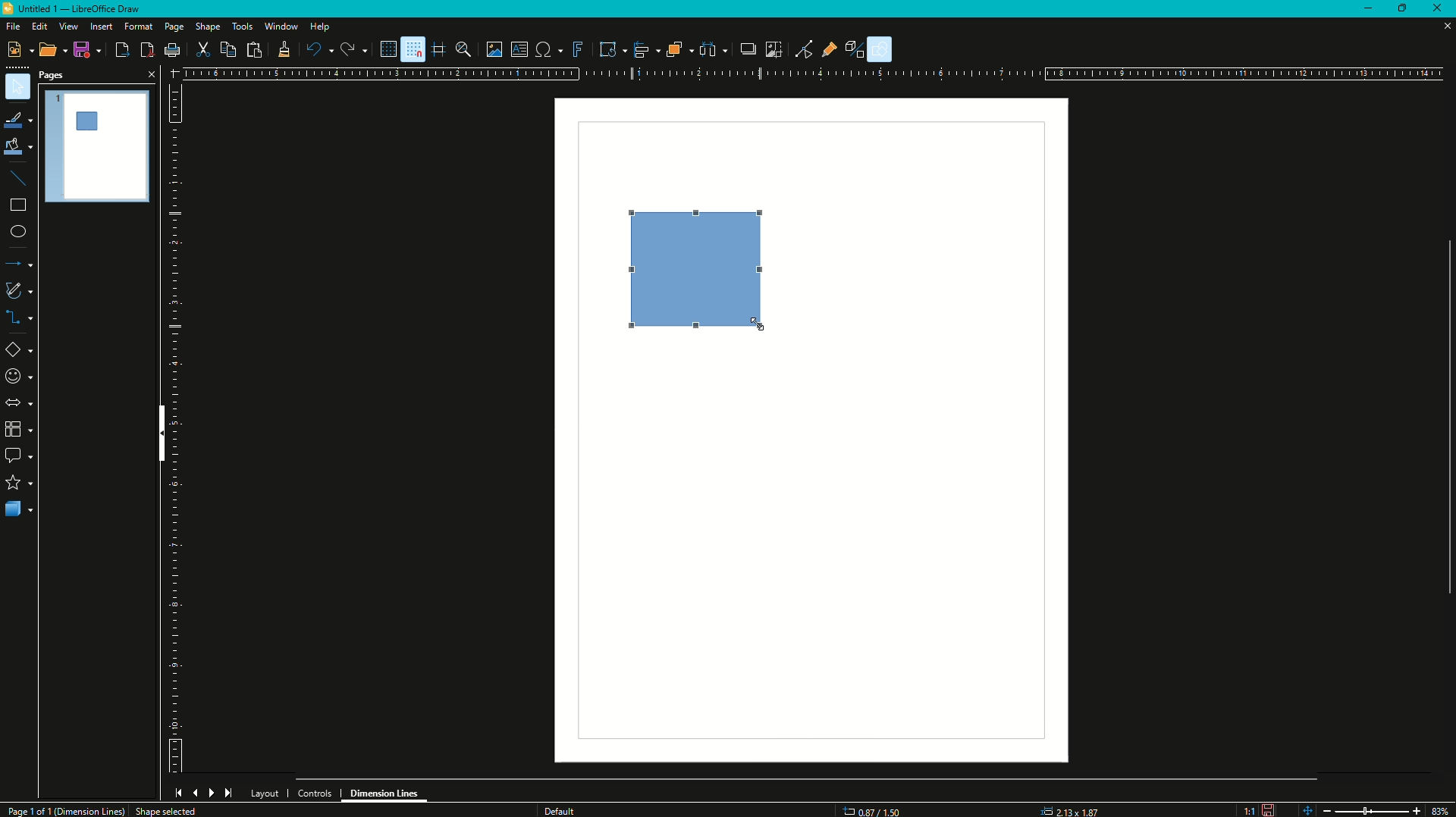 The height and width of the screenshot is (817, 1456). What do you see at coordinates (20, 319) in the screenshot?
I see `Connectors` at bounding box center [20, 319].